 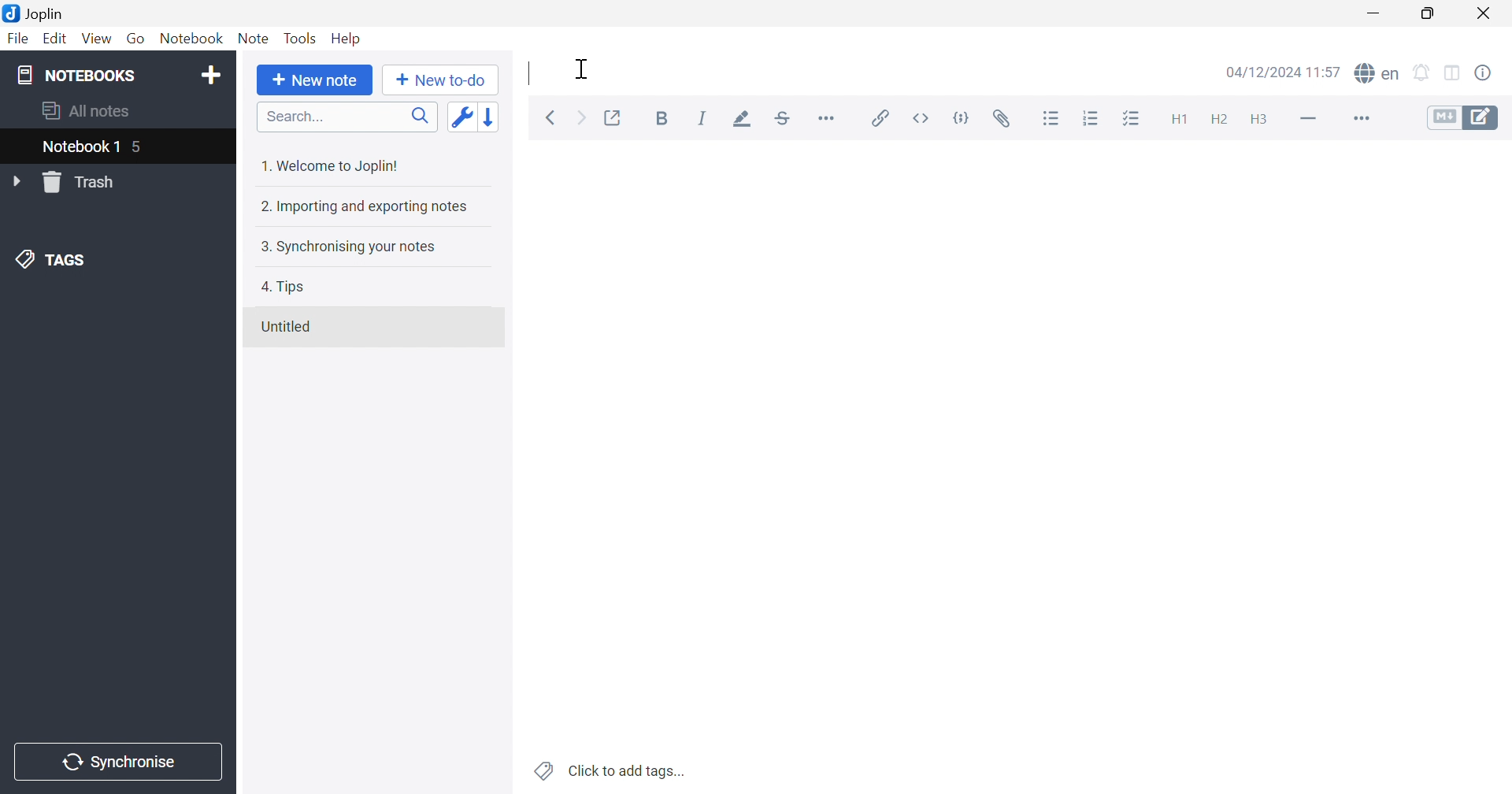 I want to click on Typing cursor, so click(x=528, y=75).